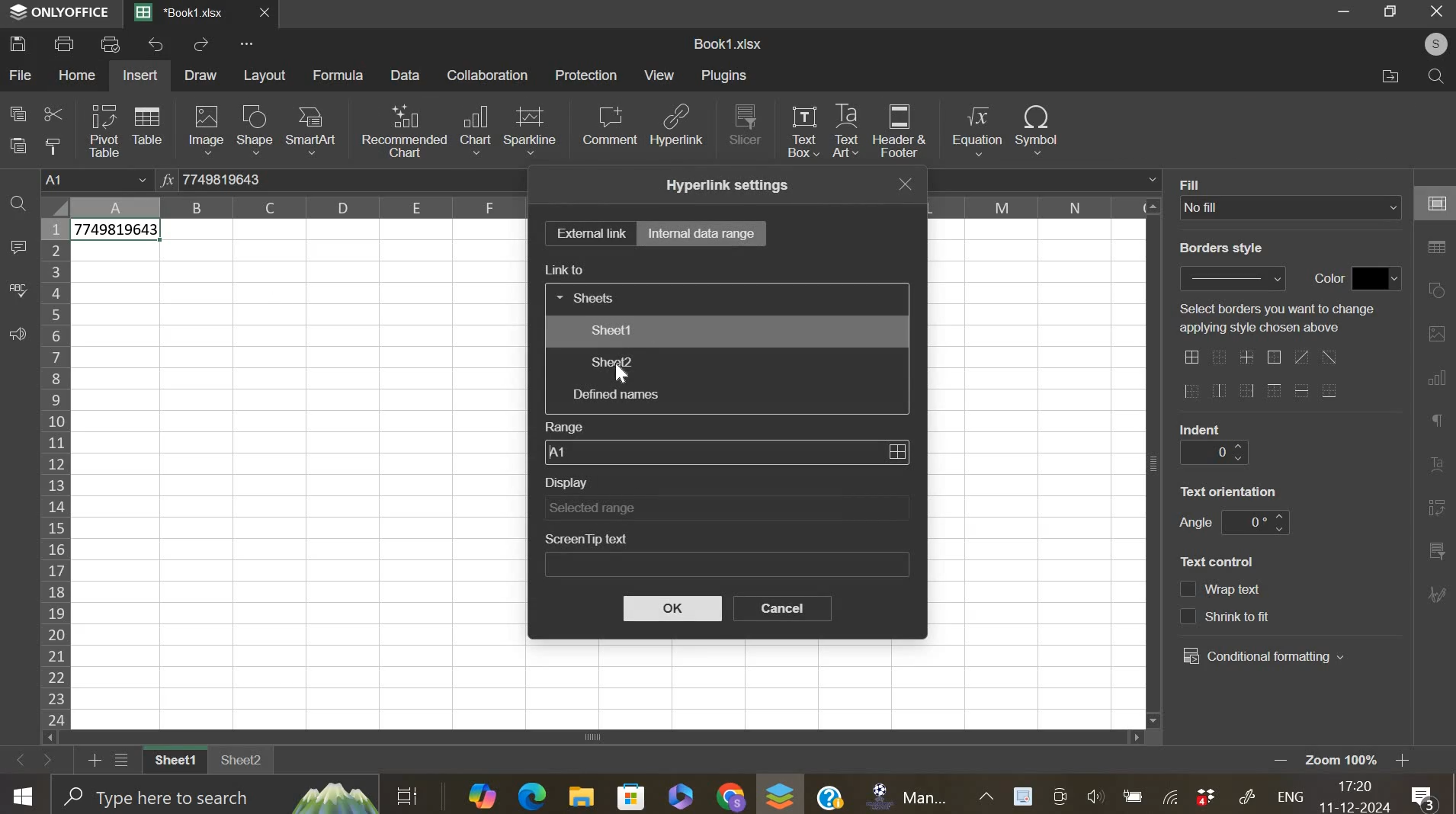  I want to click on row, so click(54, 473).